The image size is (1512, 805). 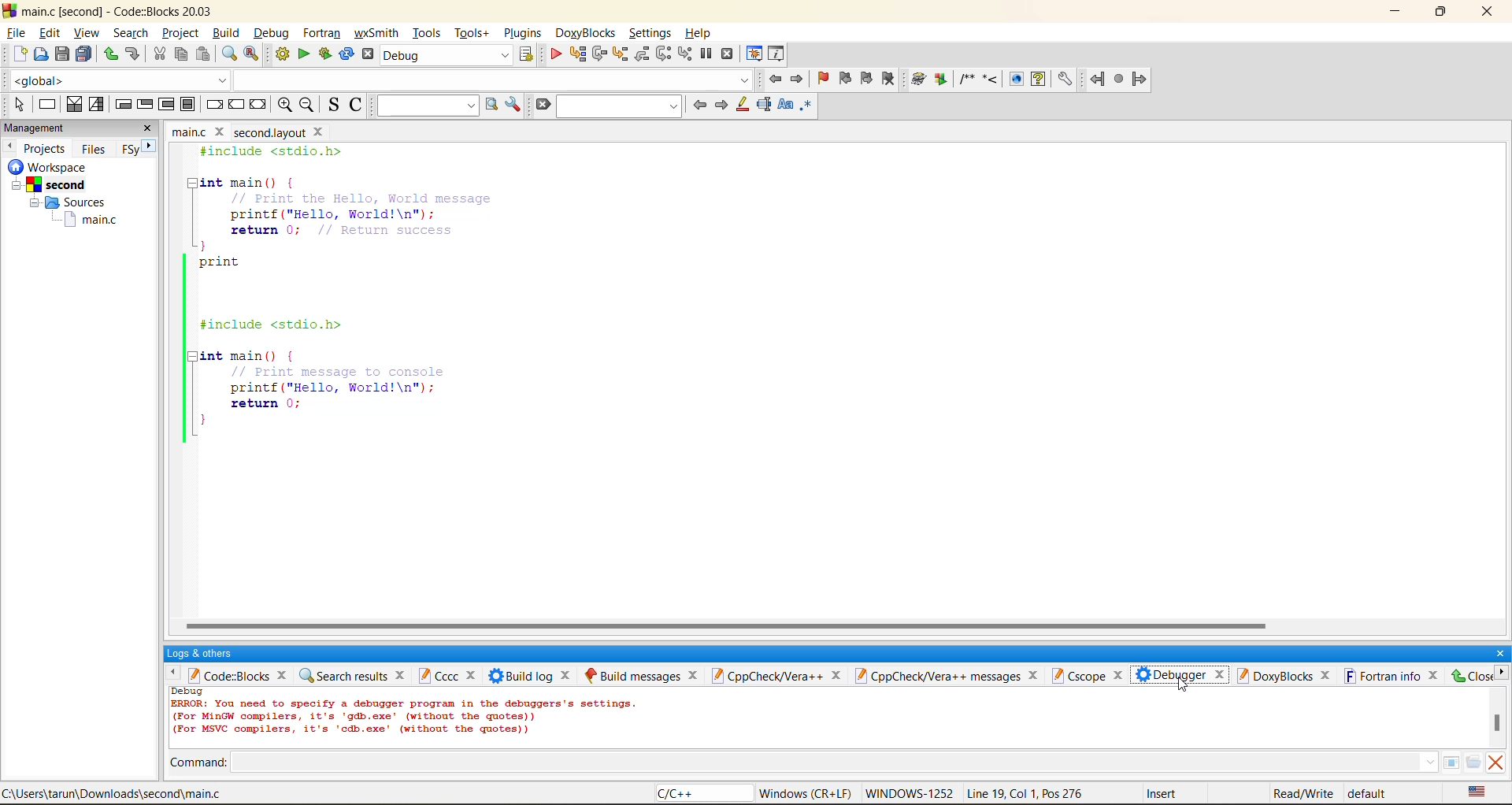 What do you see at coordinates (515, 106) in the screenshot?
I see `show options window` at bounding box center [515, 106].